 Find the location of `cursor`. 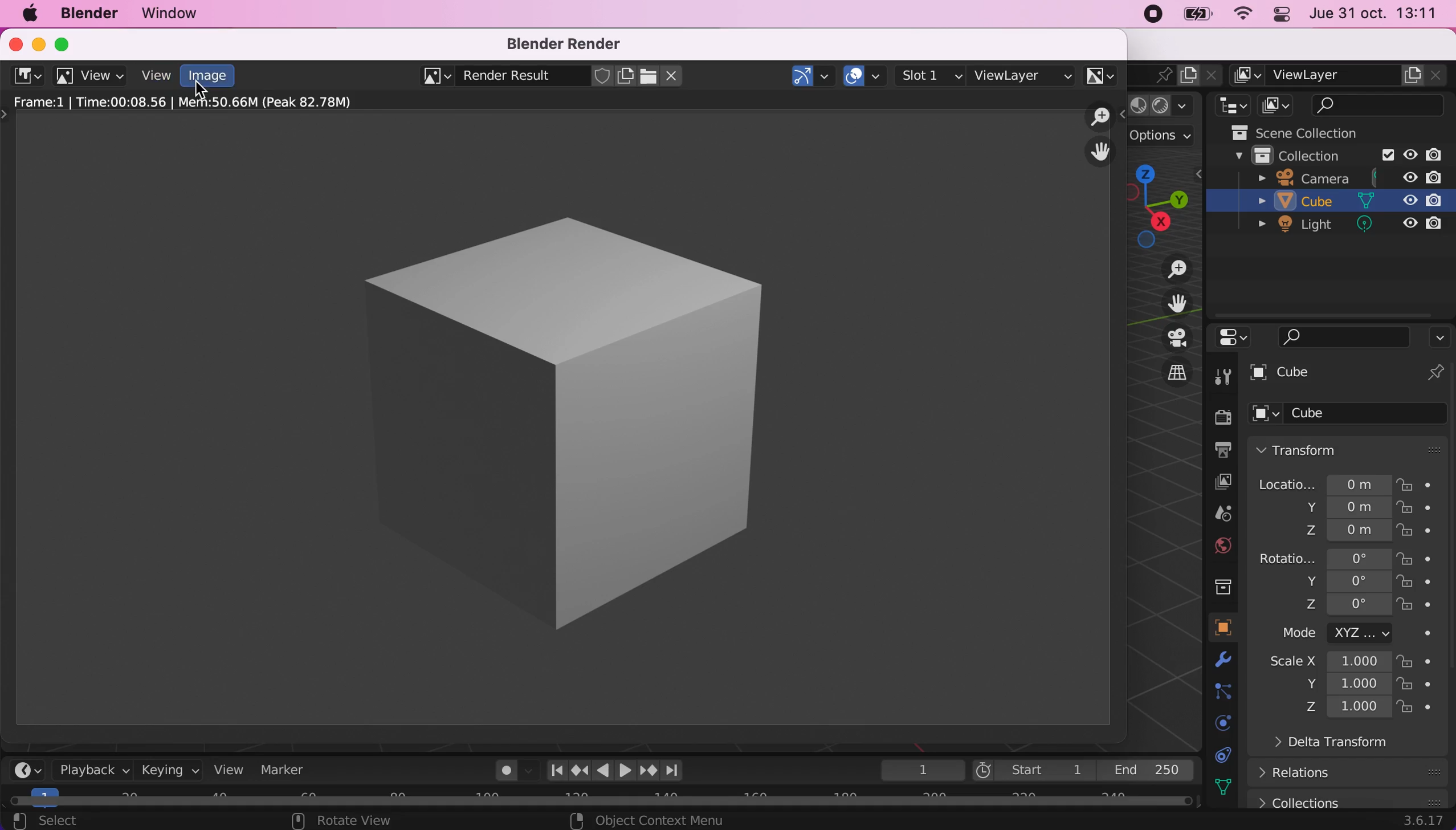

cursor is located at coordinates (203, 94).